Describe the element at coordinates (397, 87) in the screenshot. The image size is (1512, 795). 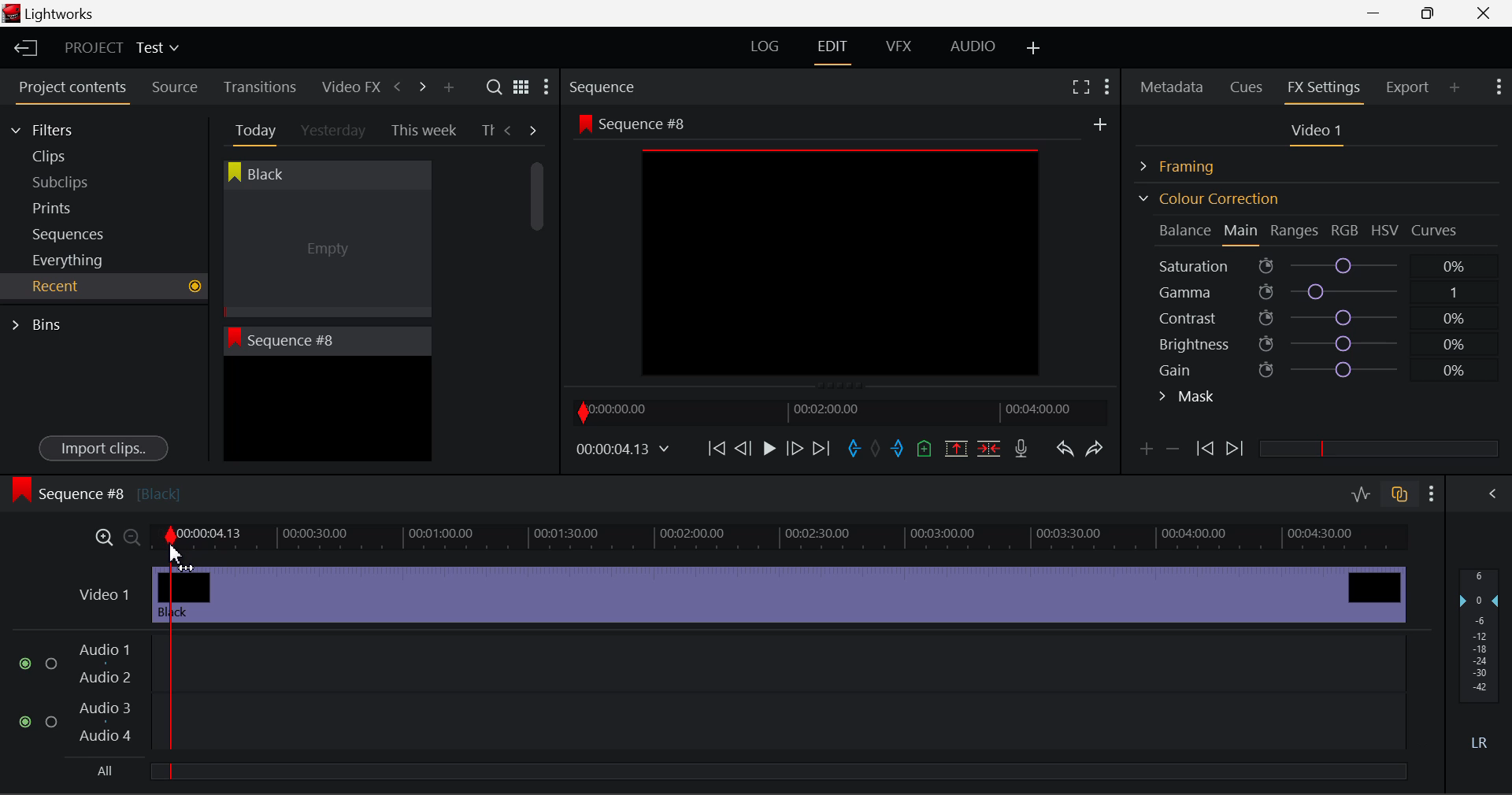
I see `Previous Panel` at that location.